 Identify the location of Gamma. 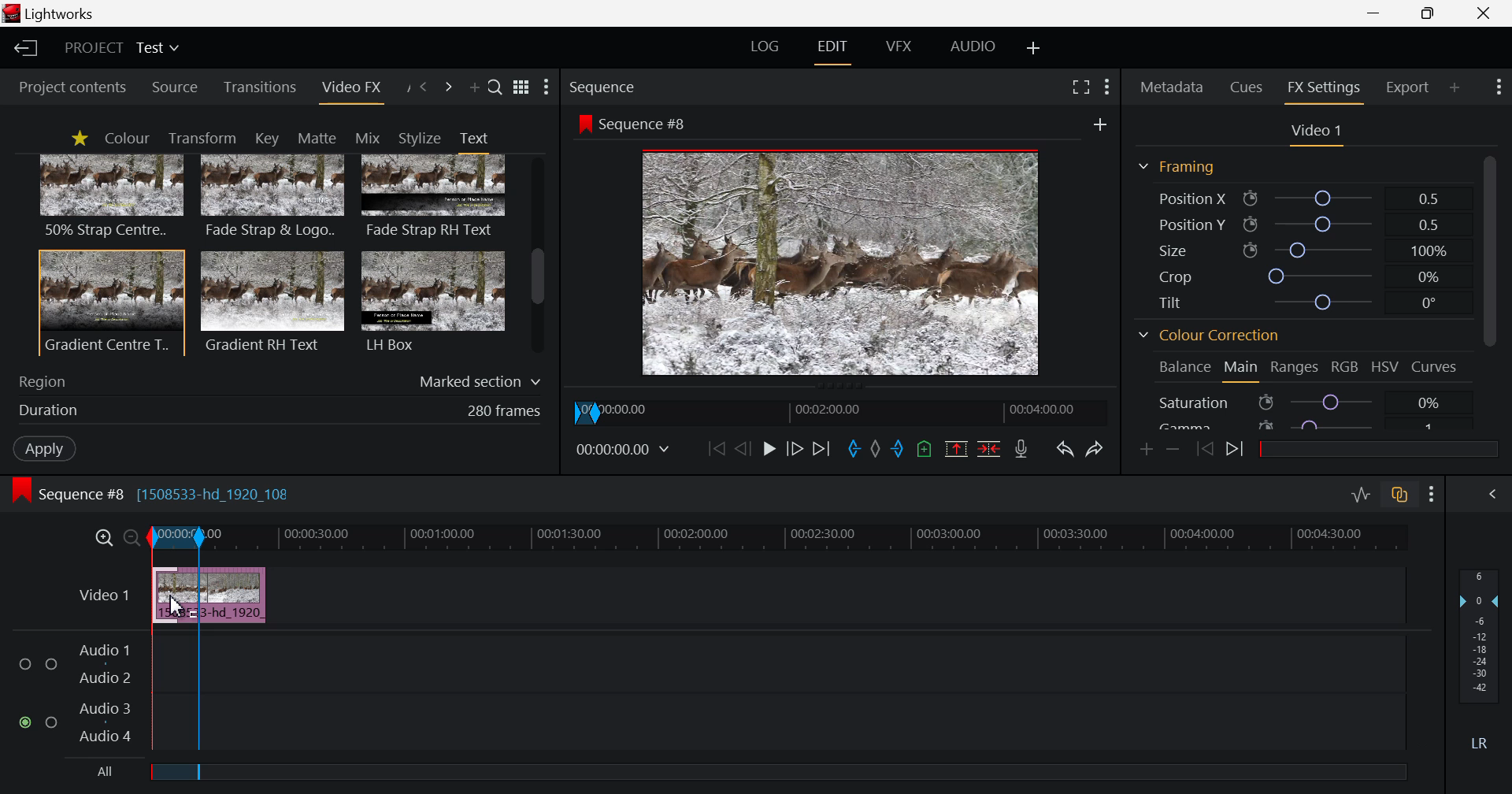
(1298, 423).